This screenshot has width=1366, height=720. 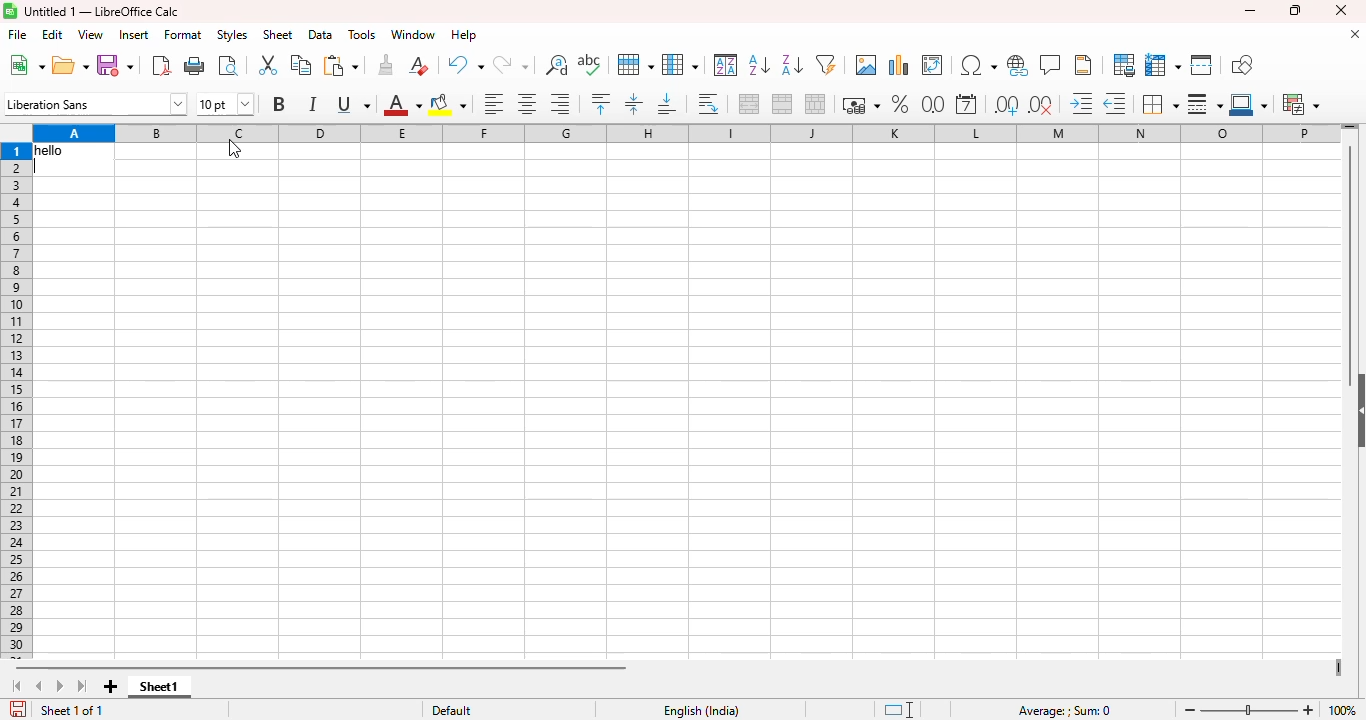 What do you see at coordinates (1051, 64) in the screenshot?
I see `insert comment` at bounding box center [1051, 64].